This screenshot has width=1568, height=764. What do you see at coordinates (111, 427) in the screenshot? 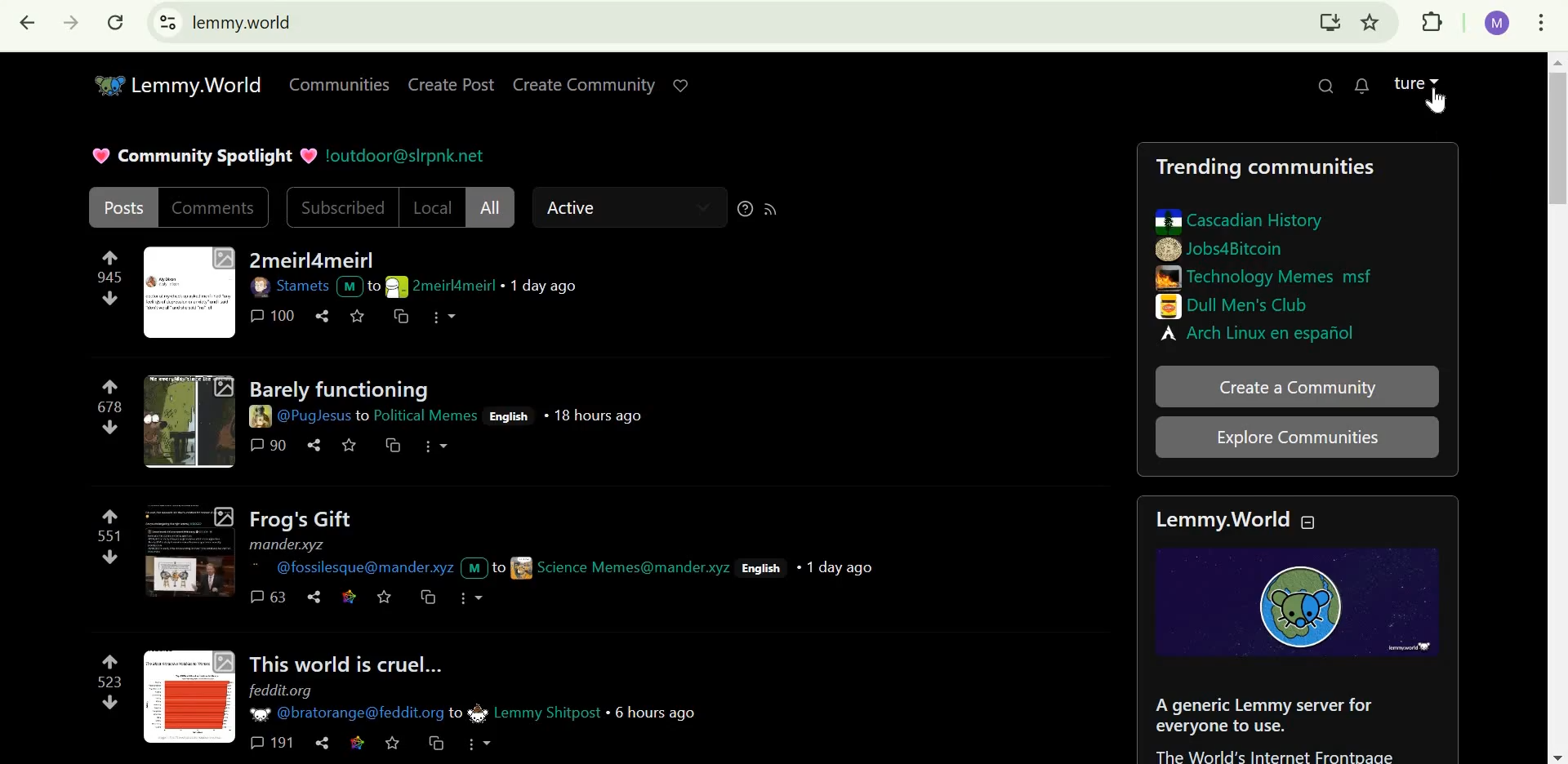
I see `downvote` at bounding box center [111, 427].